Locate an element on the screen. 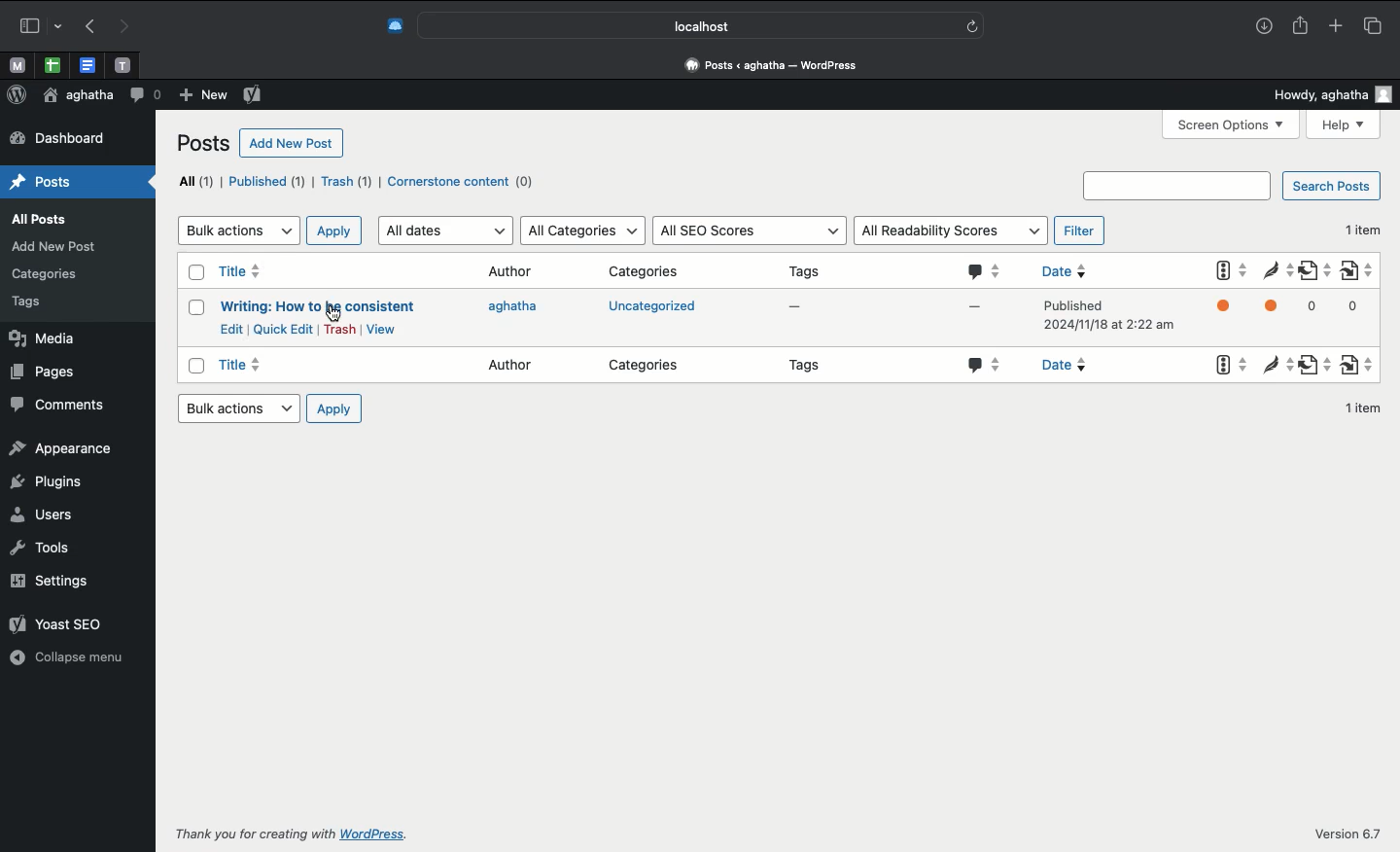  media is located at coordinates (44, 337).